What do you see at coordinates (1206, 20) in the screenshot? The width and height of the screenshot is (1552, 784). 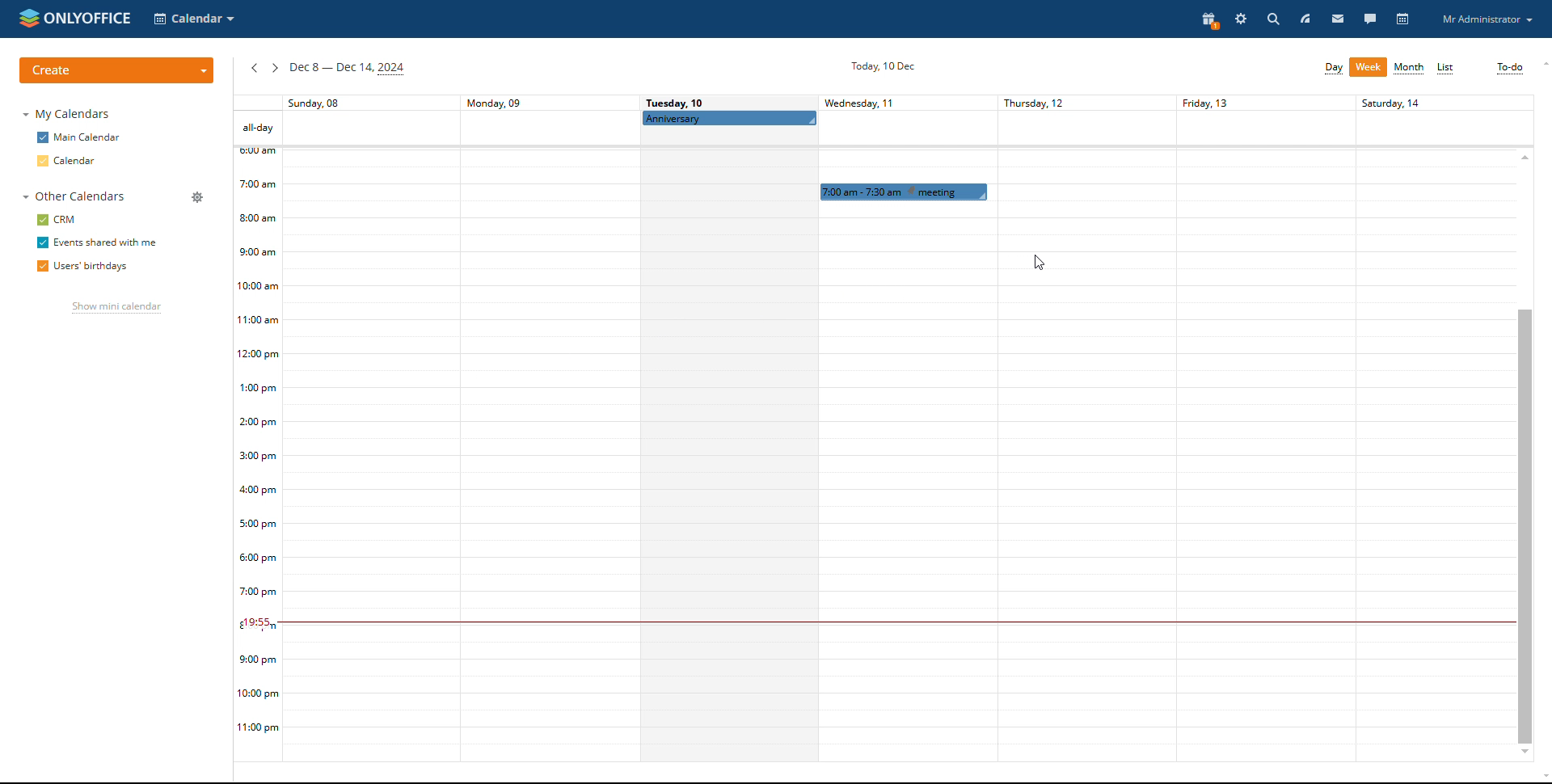 I see `present` at bounding box center [1206, 20].